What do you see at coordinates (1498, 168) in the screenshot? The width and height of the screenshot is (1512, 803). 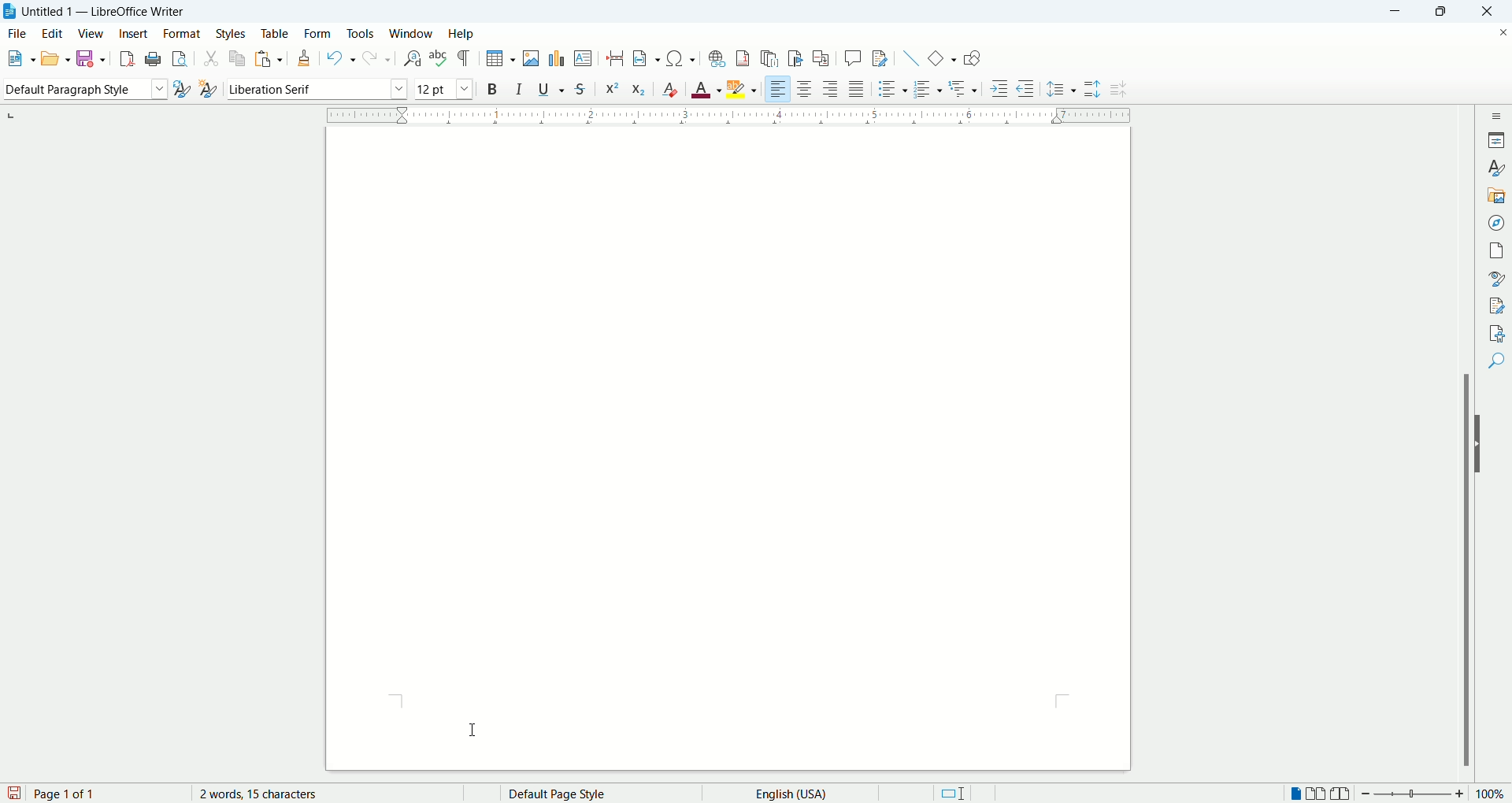 I see `styles` at bounding box center [1498, 168].